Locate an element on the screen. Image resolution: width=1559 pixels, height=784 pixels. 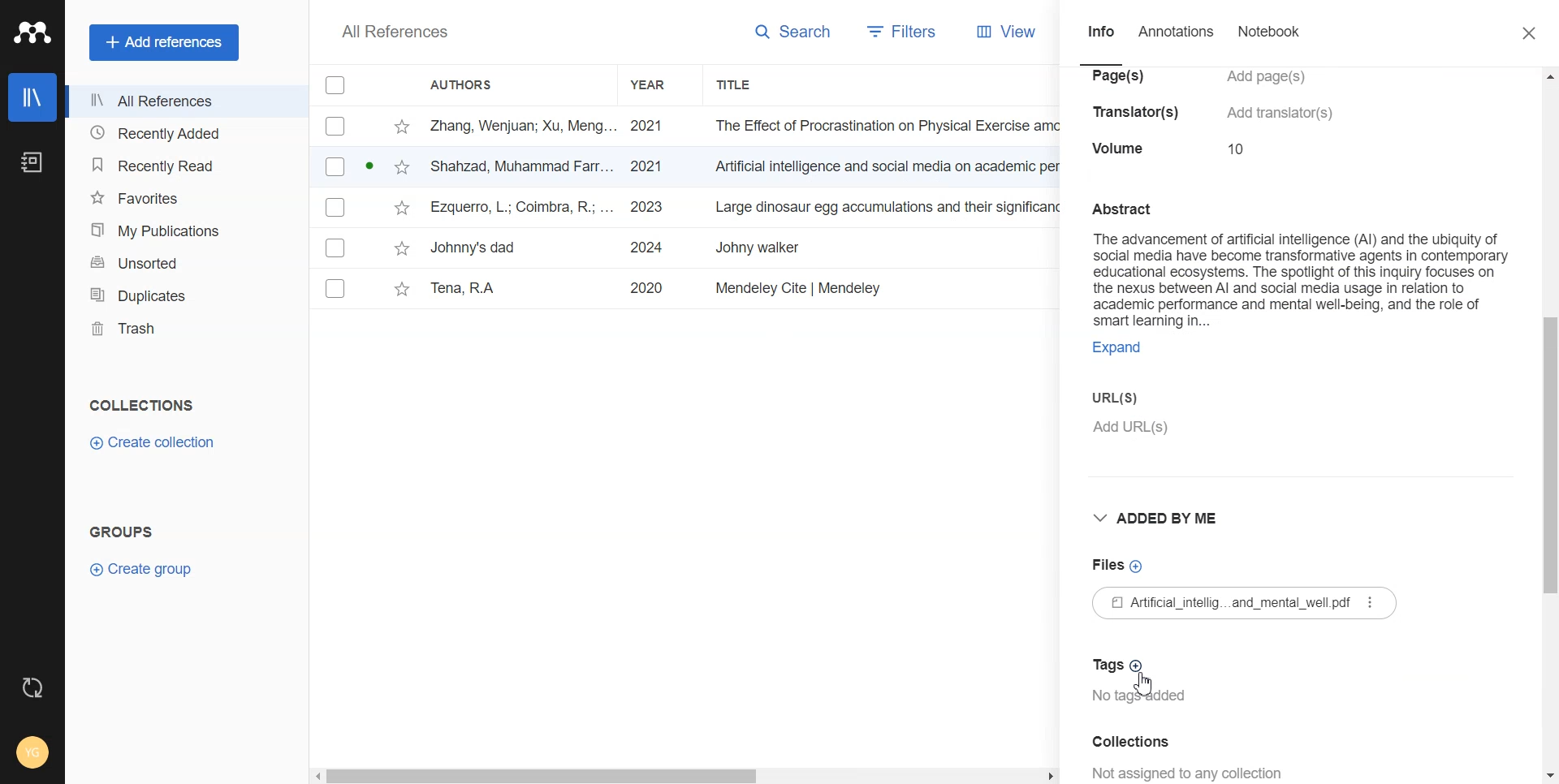
Notebook is located at coordinates (32, 162).